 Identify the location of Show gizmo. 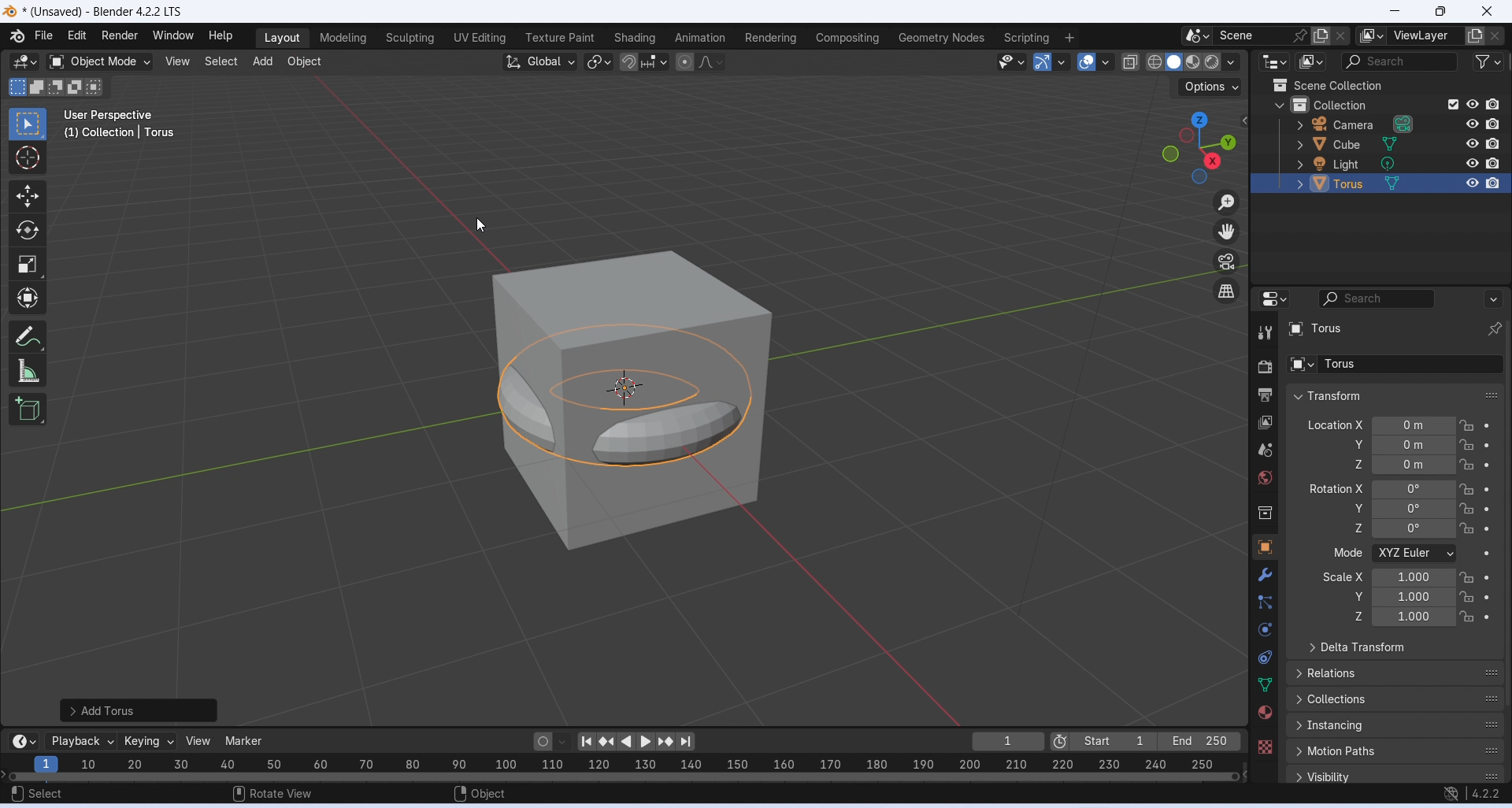
(1050, 63).